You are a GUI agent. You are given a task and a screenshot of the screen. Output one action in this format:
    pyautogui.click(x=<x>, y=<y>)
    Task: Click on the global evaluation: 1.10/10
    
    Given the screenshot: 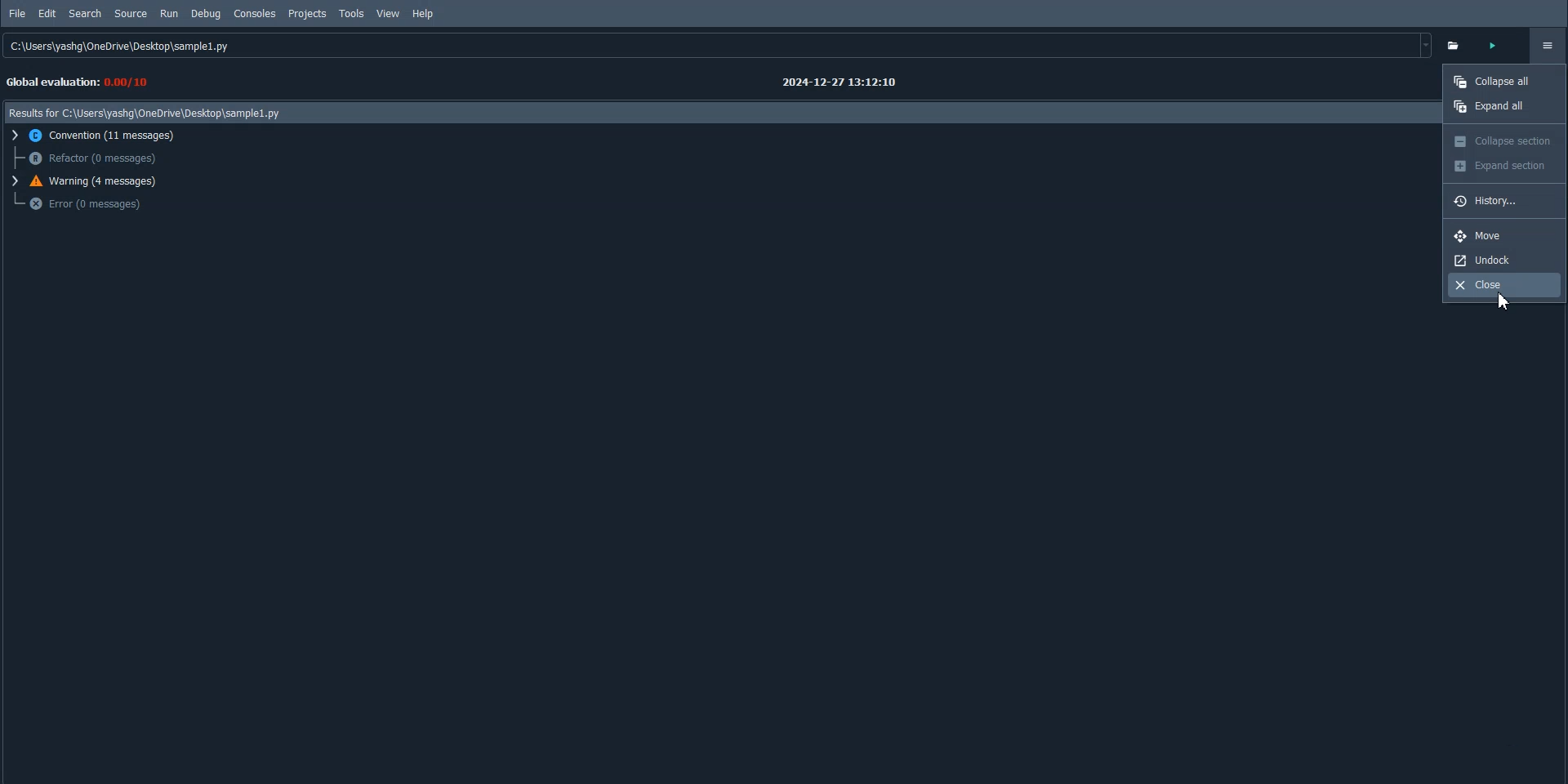 What is the action you would take?
    pyautogui.click(x=87, y=80)
    